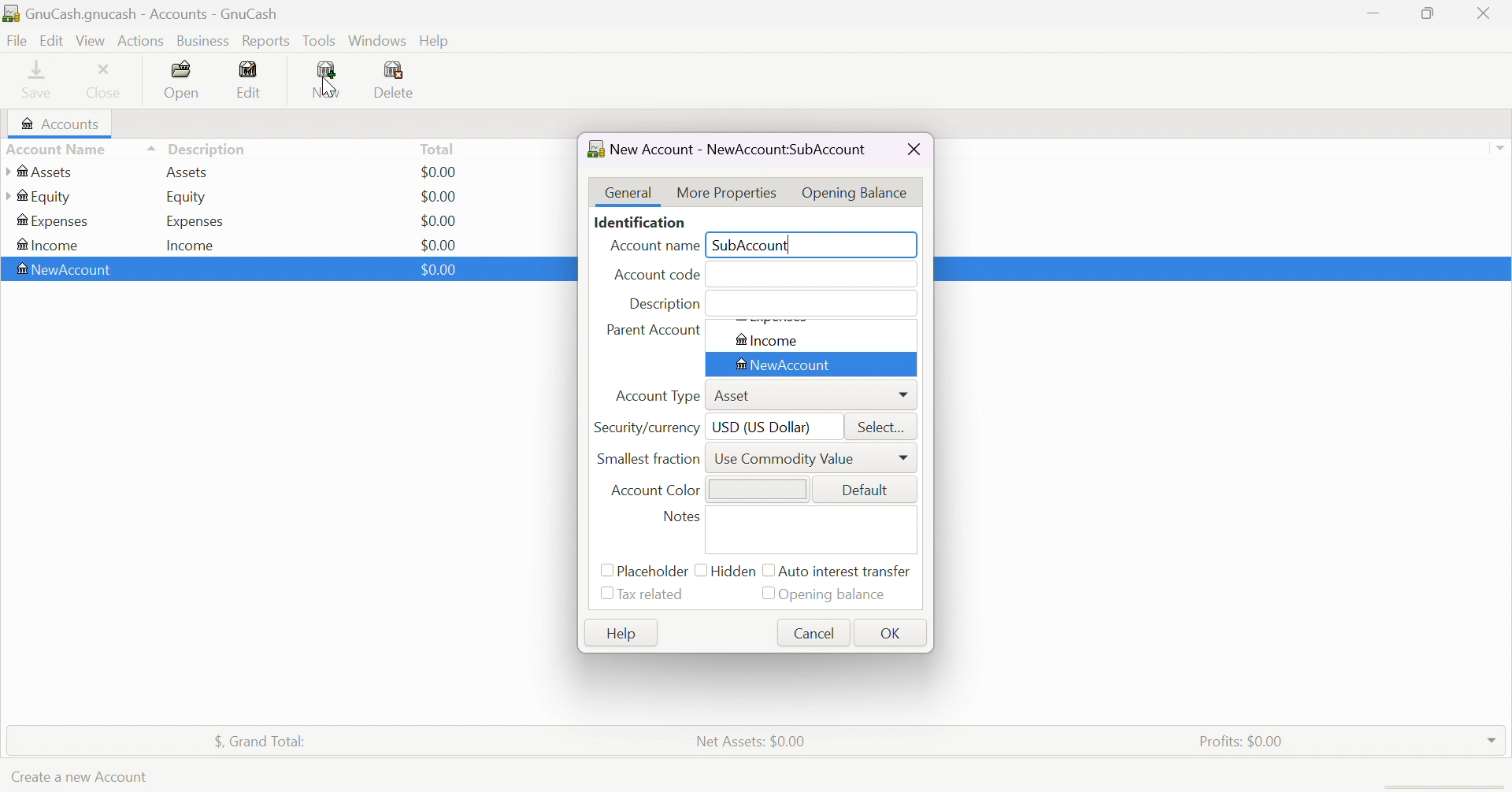 The width and height of the screenshot is (1512, 792). What do you see at coordinates (212, 148) in the screenshot?
I see `Description` at bounding box center [212, 148].